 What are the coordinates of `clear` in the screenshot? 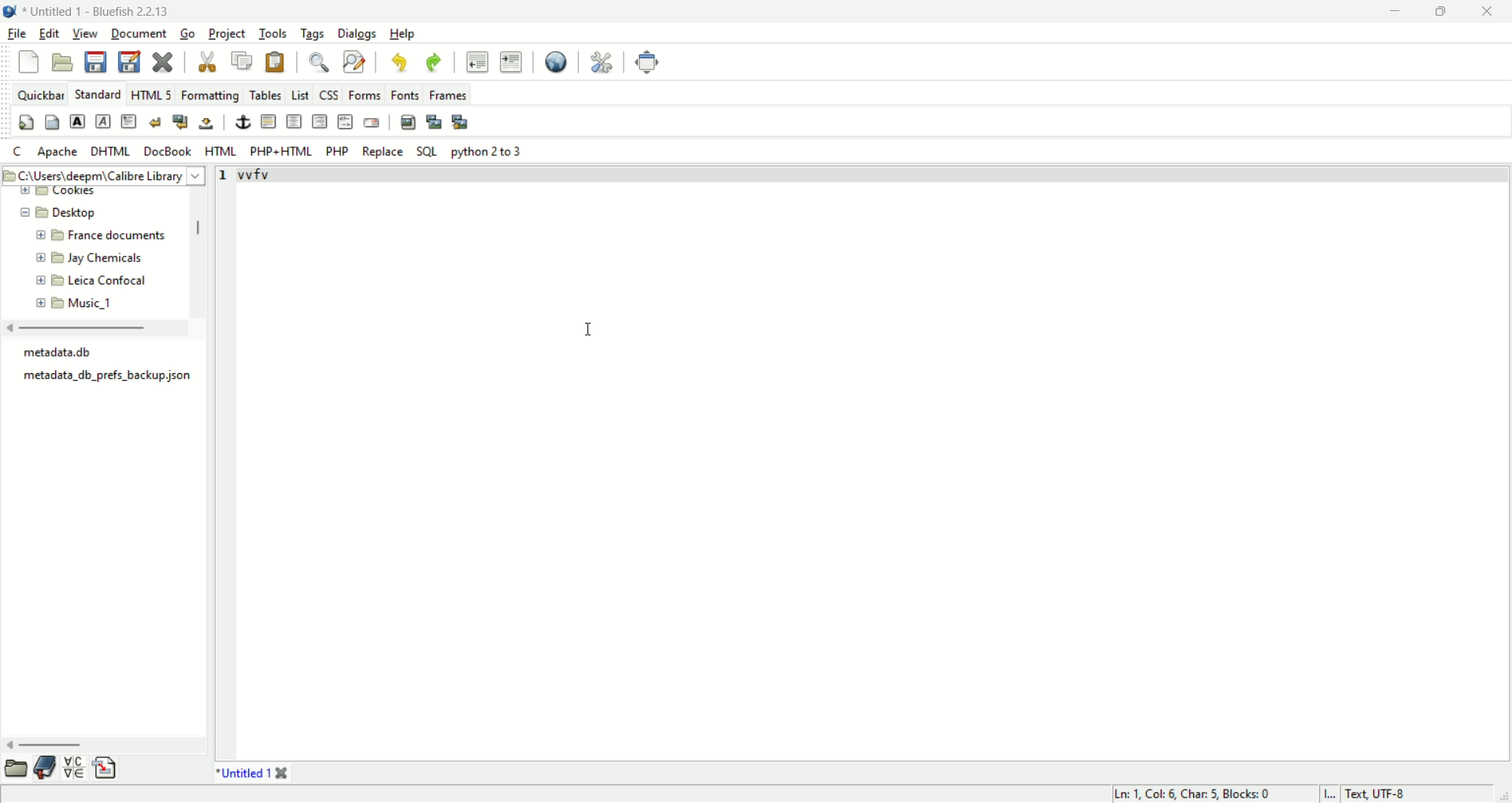 It's located at (154, 123).